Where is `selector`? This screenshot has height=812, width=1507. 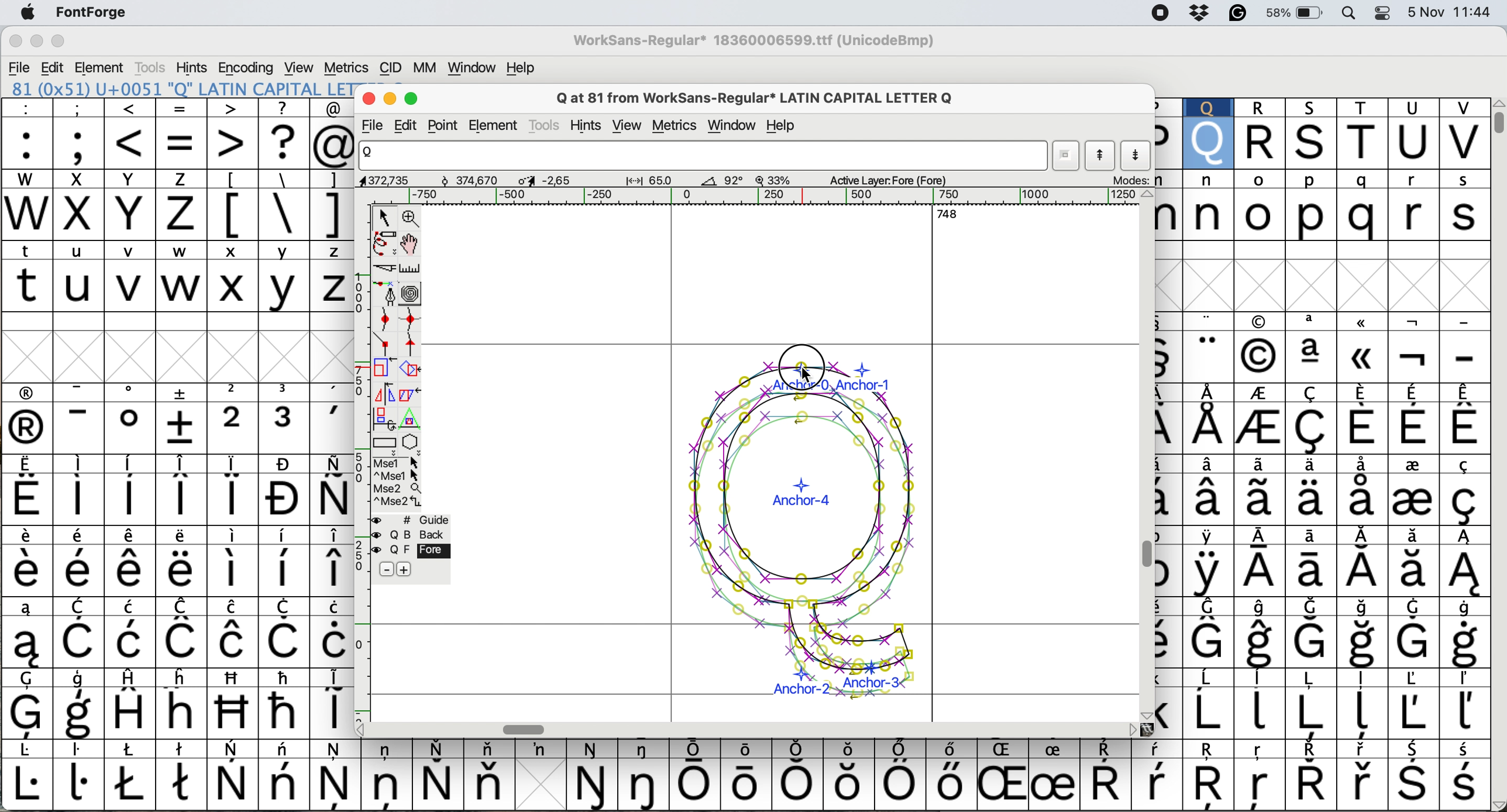
selector is located at coordinates (387, 218).